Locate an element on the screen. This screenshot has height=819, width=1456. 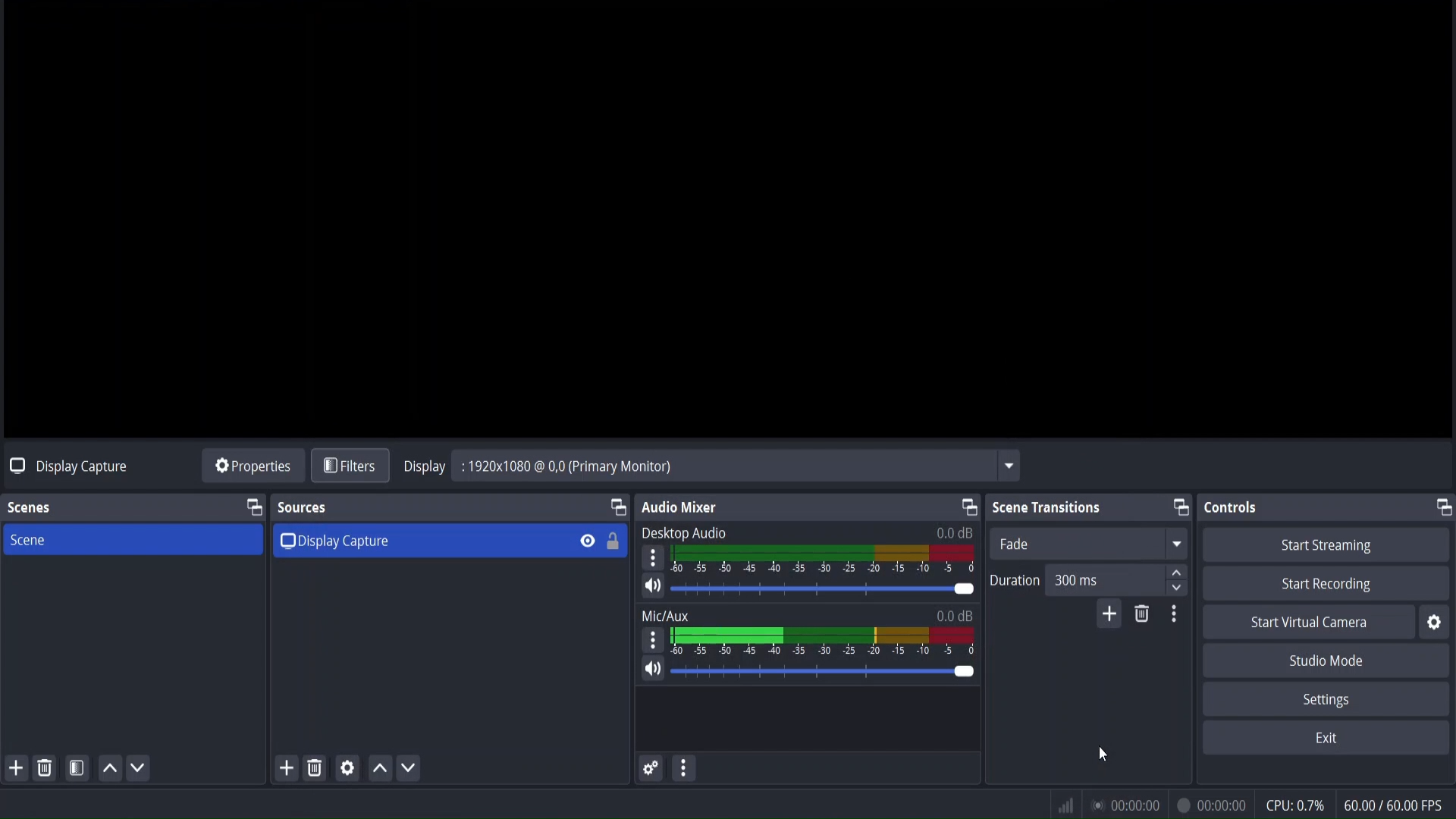
volume bar is located at coordinates (823, 590).